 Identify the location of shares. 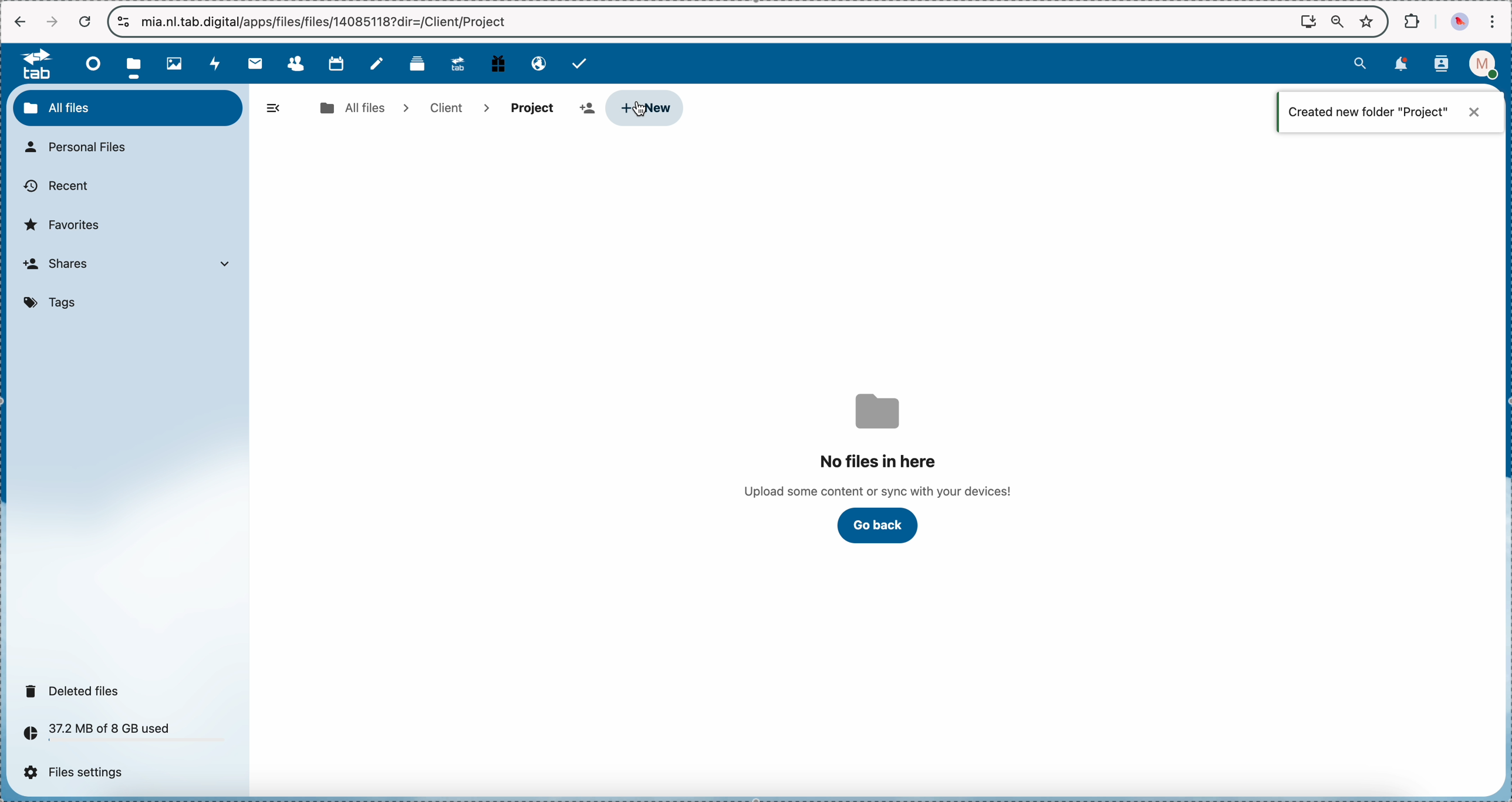
(132, 265).